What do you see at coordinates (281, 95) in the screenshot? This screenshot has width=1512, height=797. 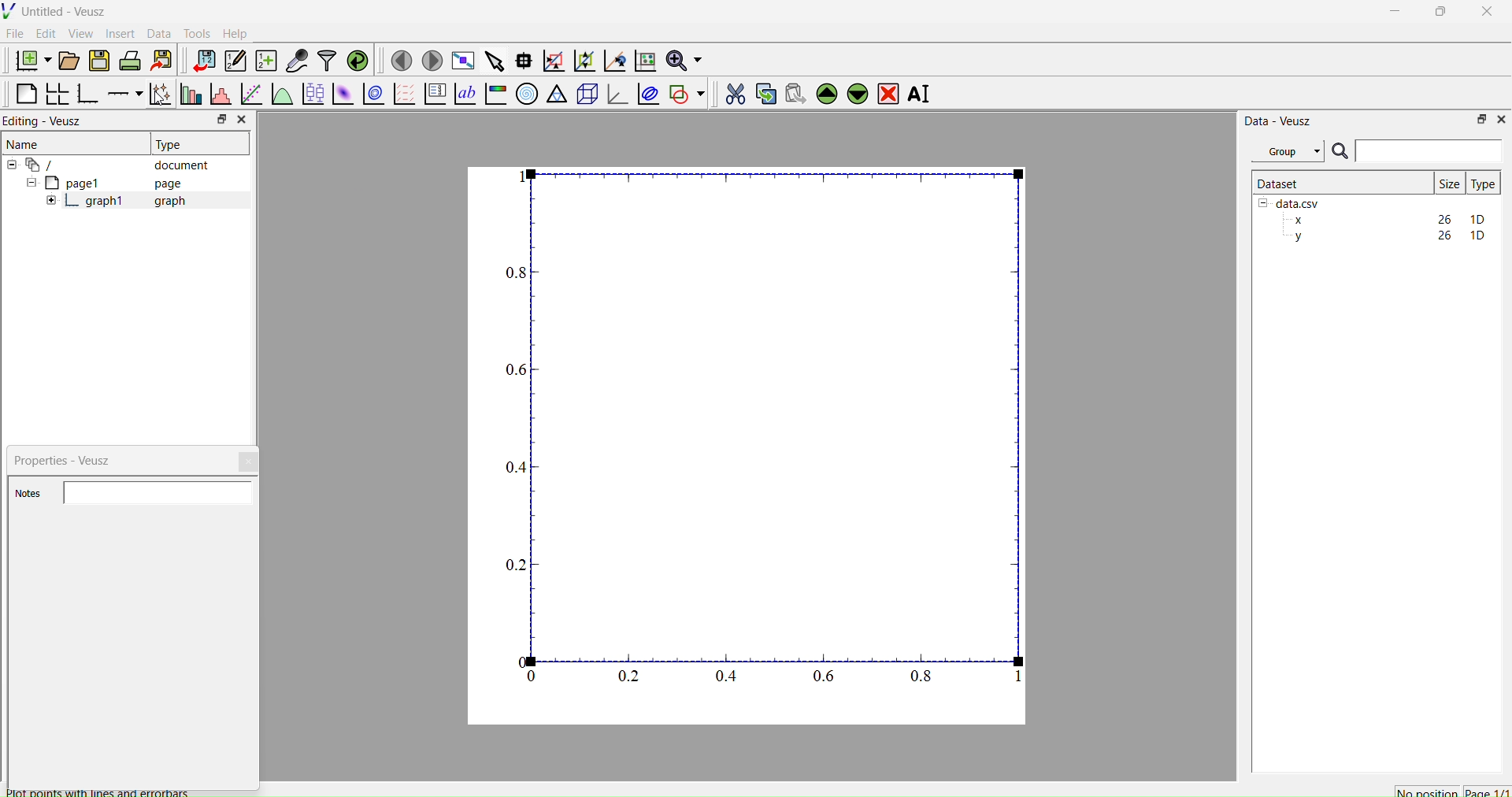 I see `Plot a function` at bounding box center [281, 95].